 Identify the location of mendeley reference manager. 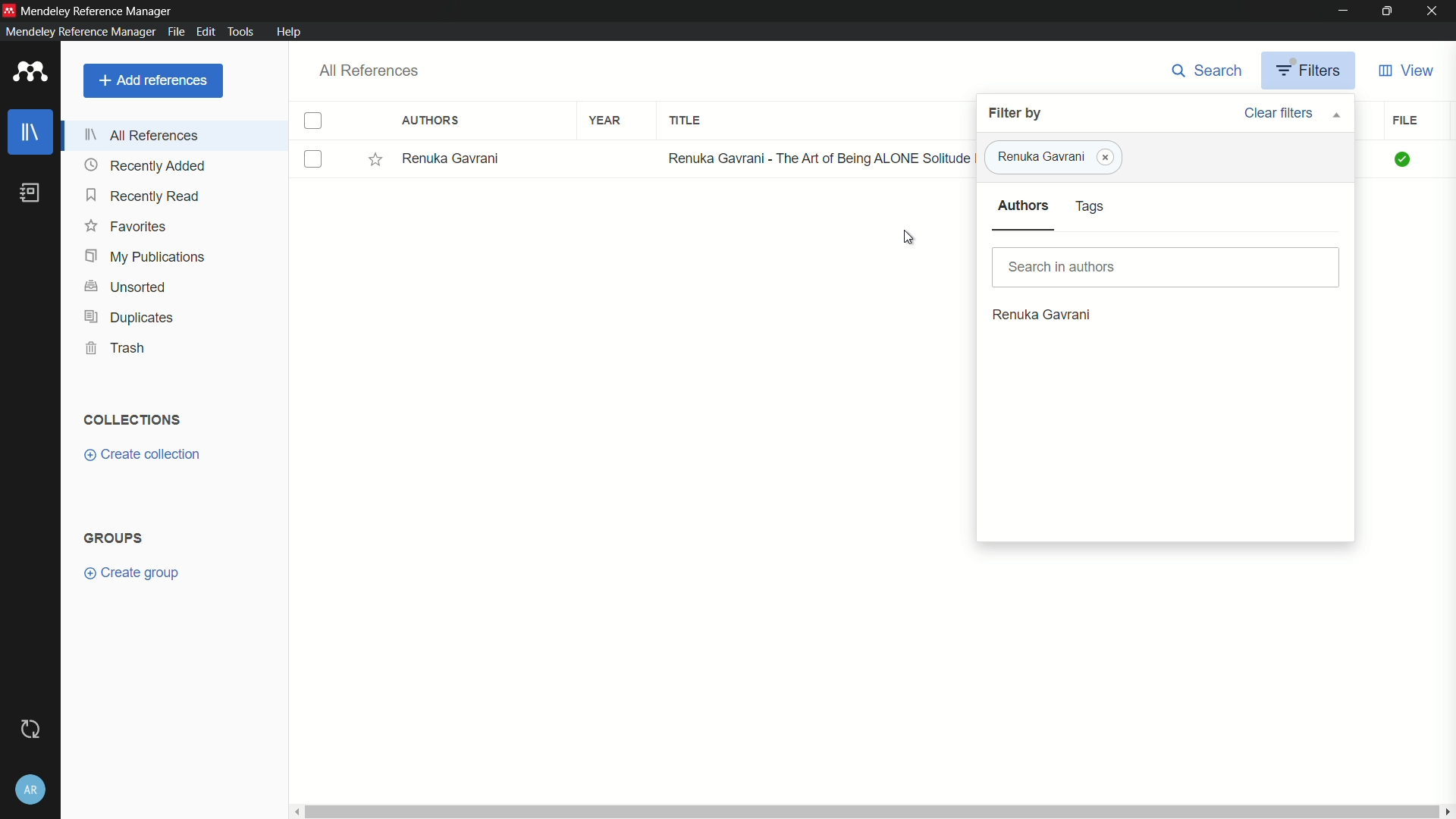
(97, 11).